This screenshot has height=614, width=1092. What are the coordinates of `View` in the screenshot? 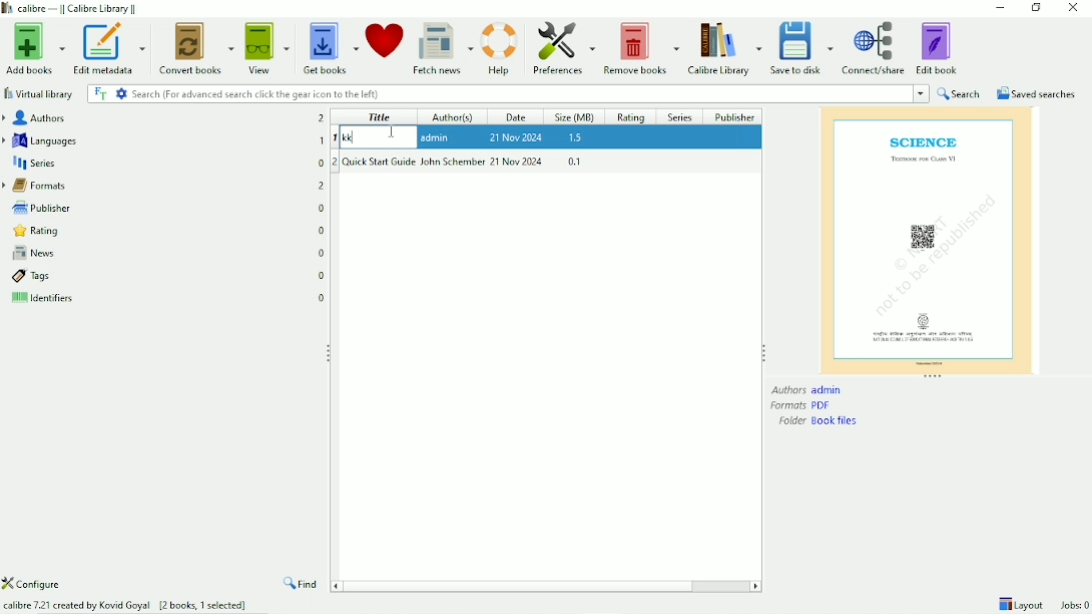 It's located at (268, 48).